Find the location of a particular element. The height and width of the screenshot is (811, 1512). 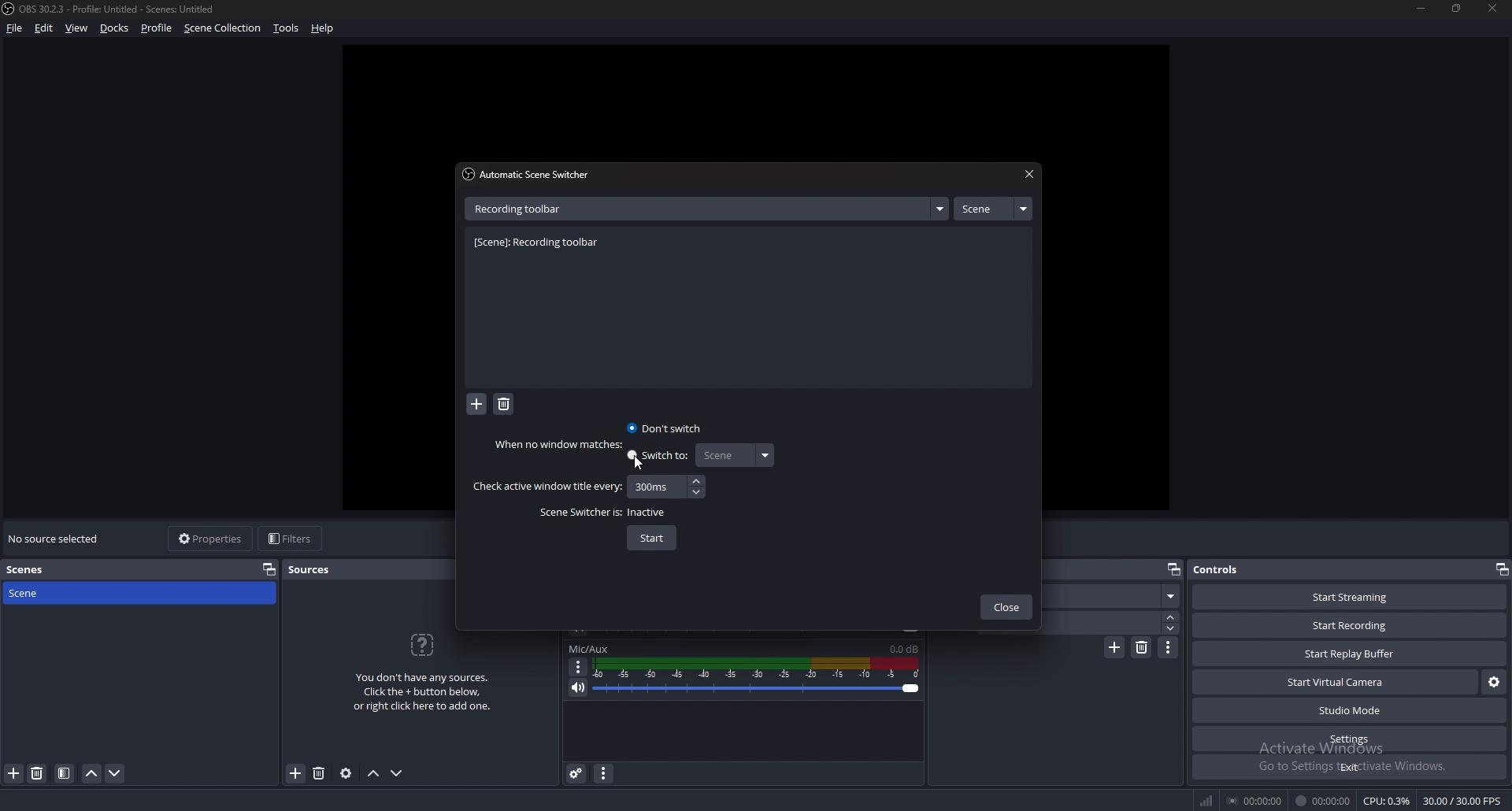

name input is located at coordinates (522, 208).